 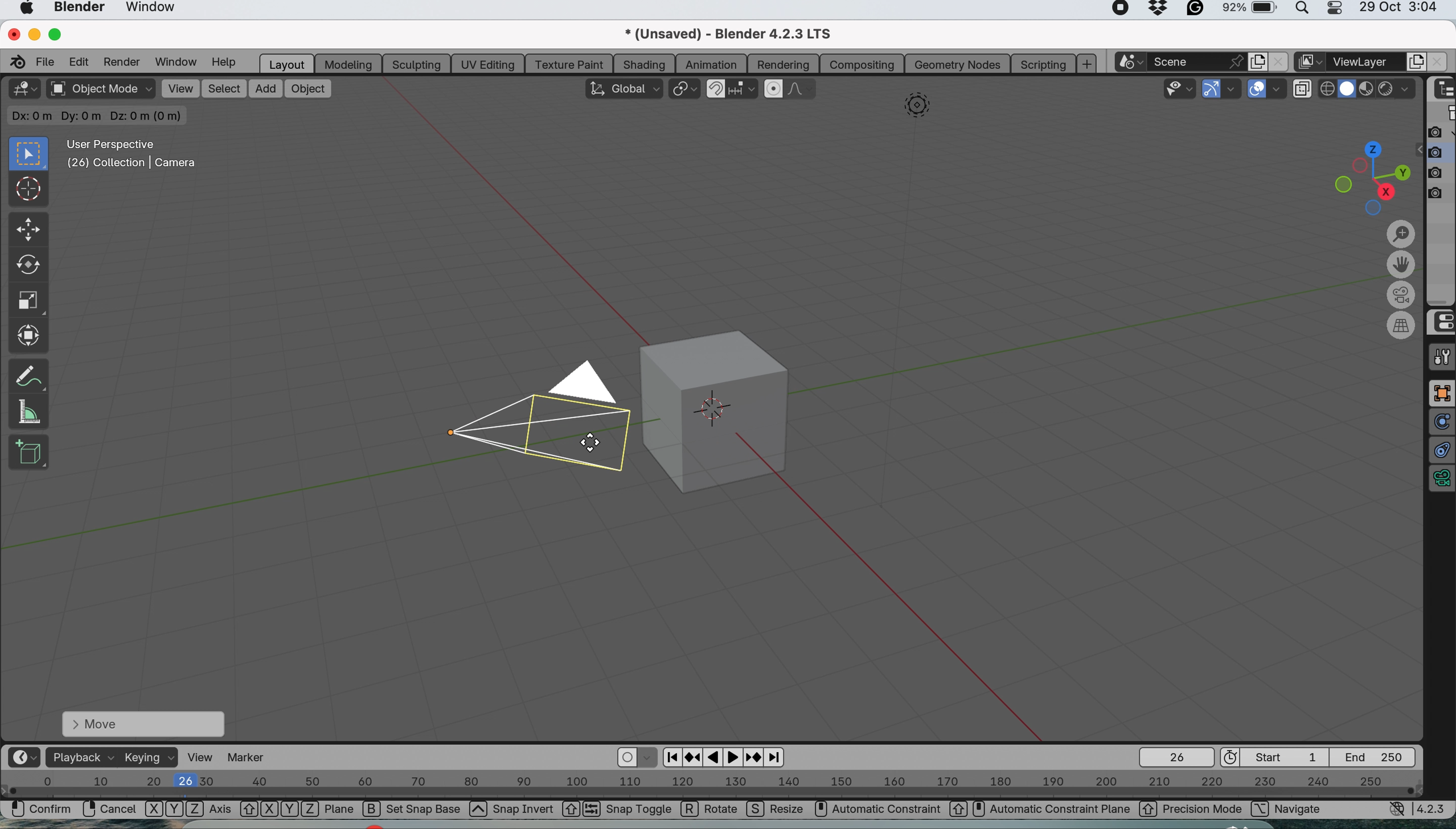 I want to click on material preview display, so click(x=1348, y=89).